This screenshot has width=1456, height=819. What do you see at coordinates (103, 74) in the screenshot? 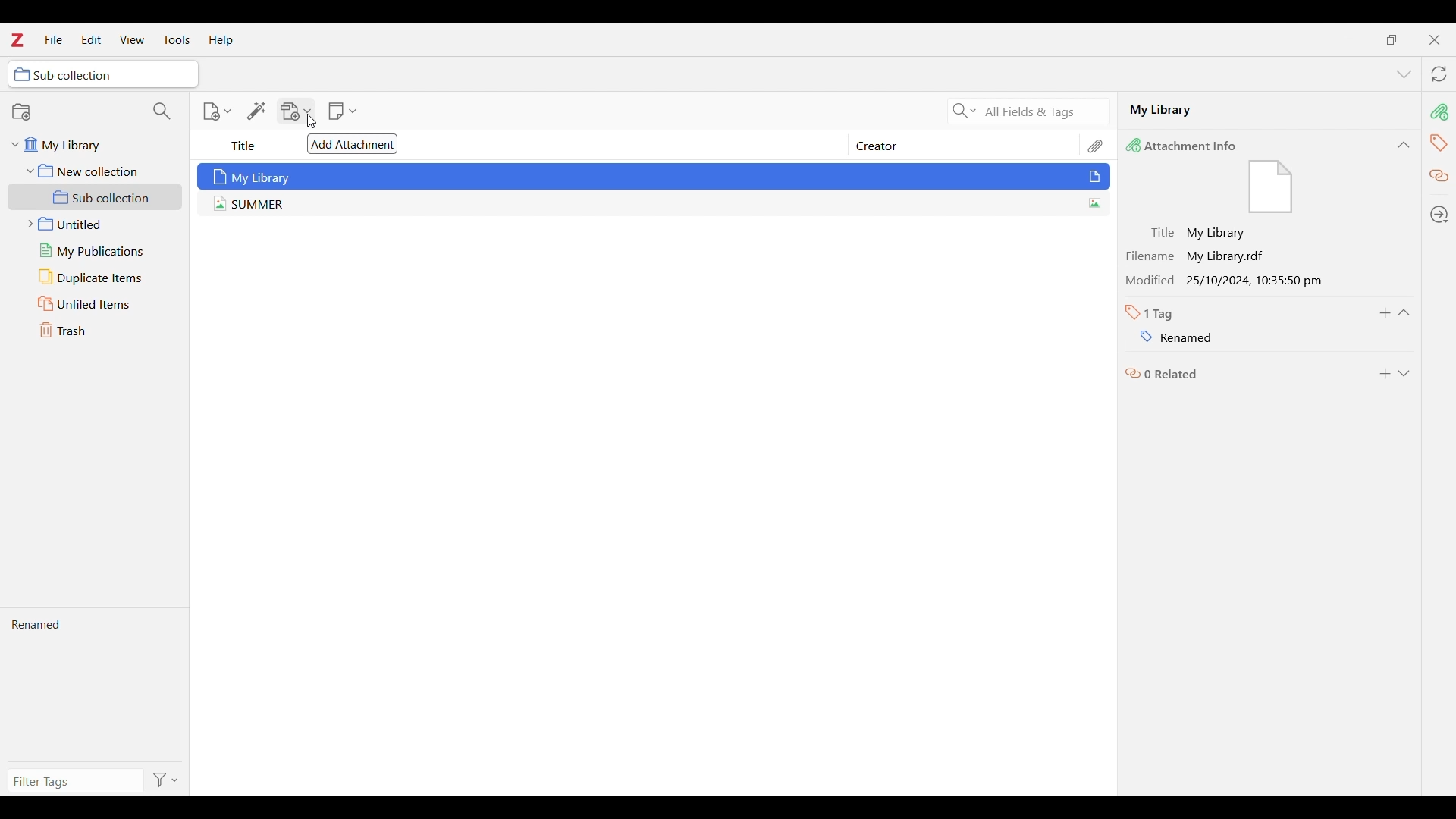
I see `Current folder` at bounding box center [103, 74].